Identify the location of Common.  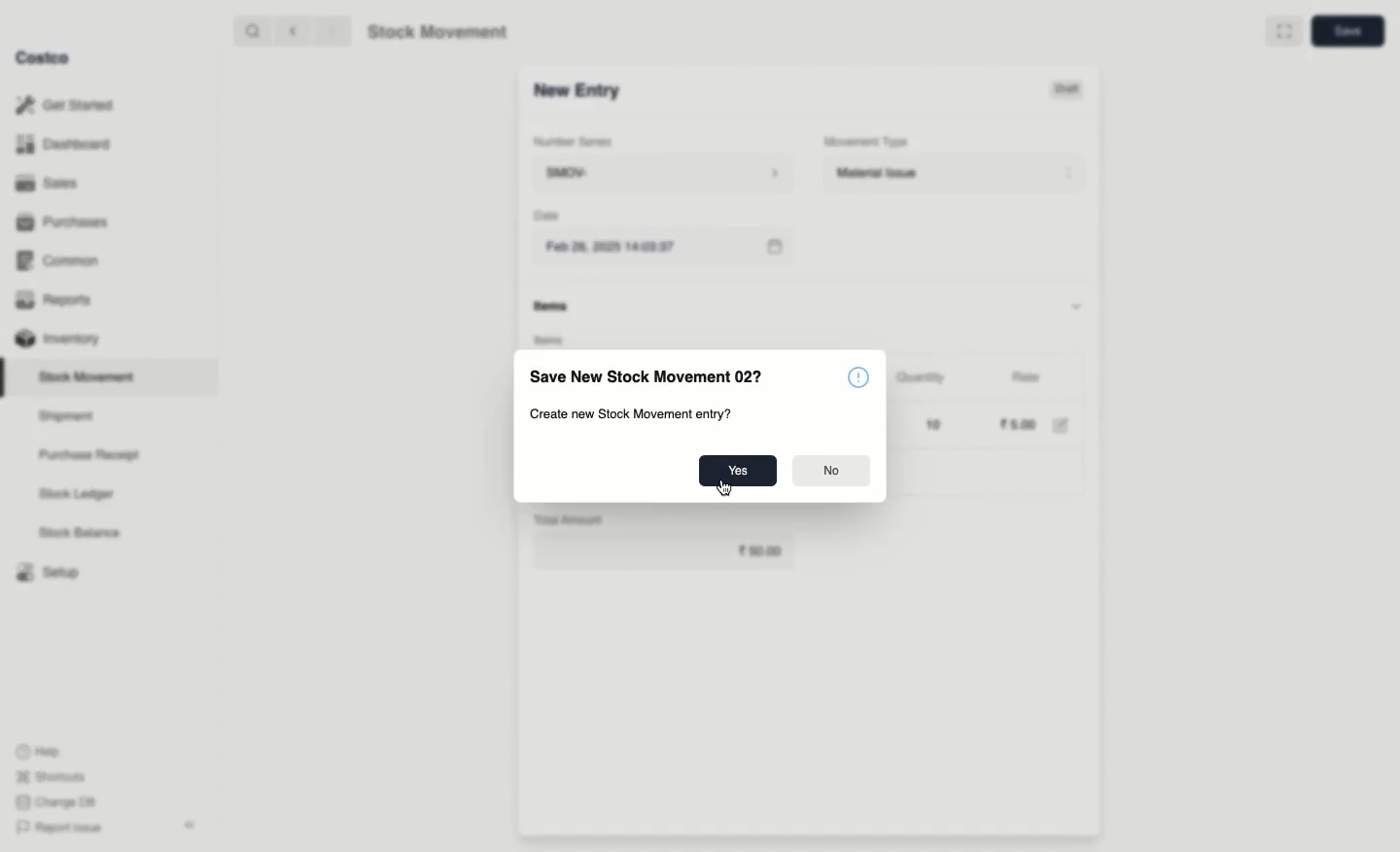
(63, 263).